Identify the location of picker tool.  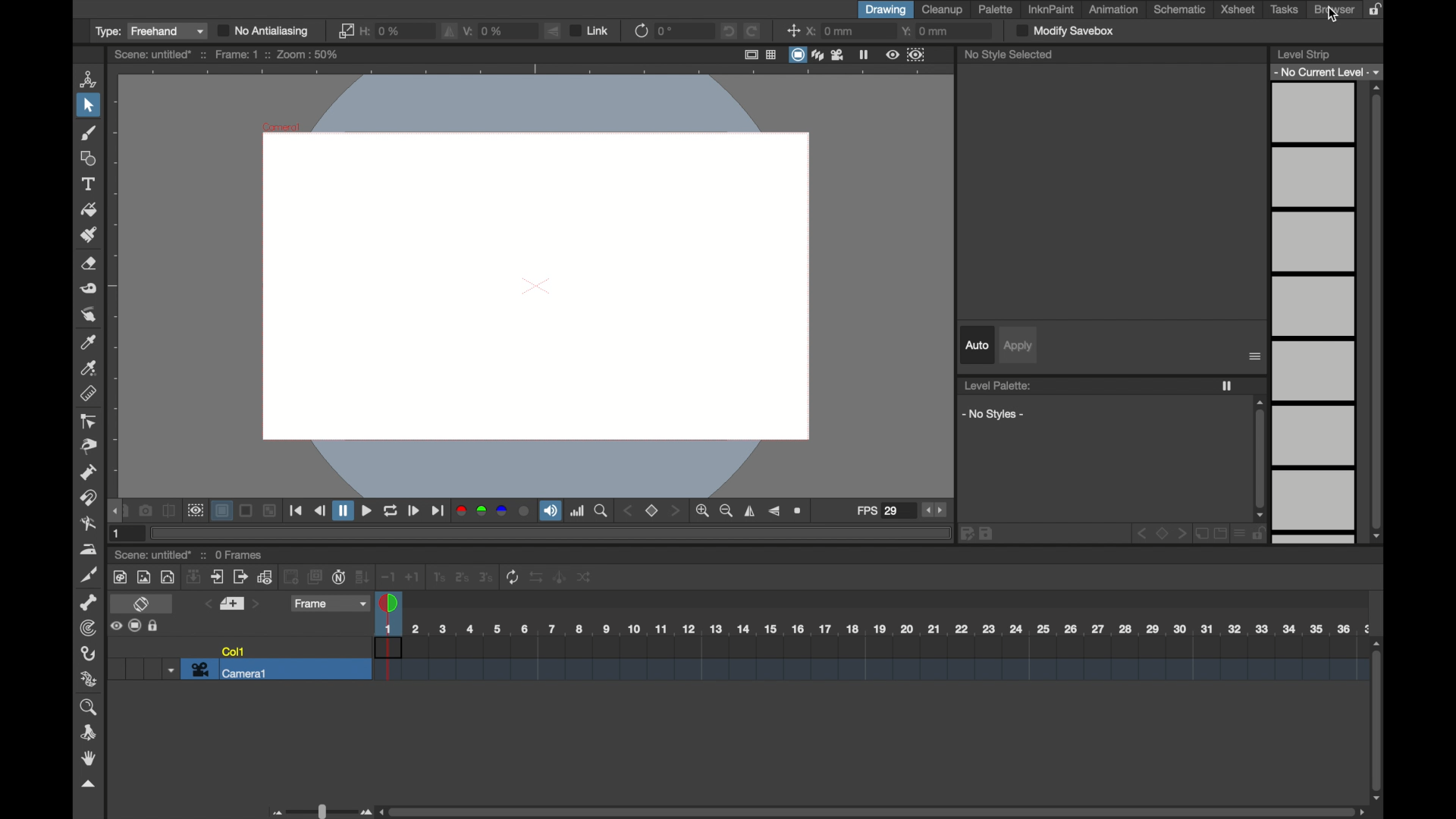
(89, 343).